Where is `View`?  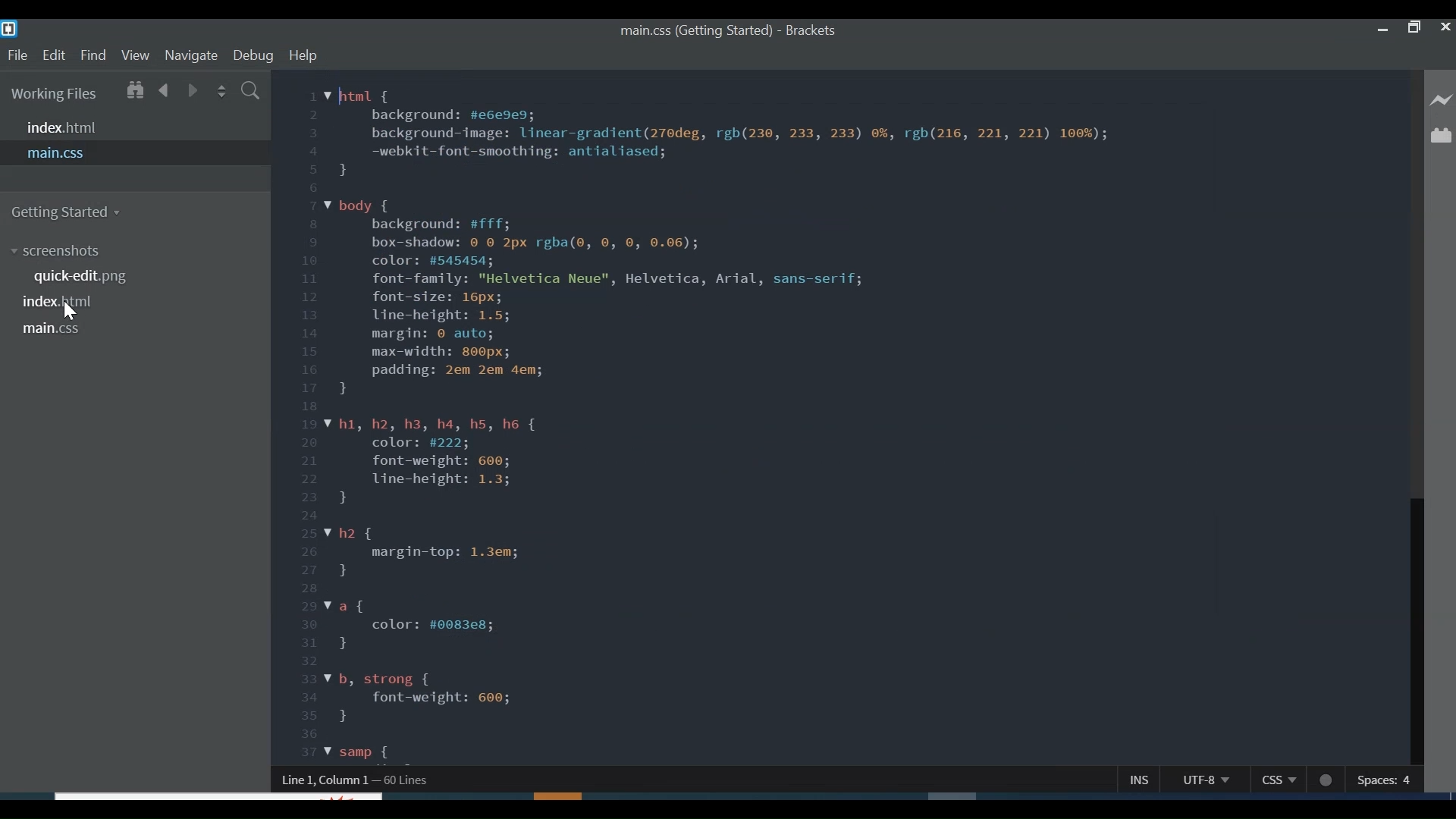
View is located at coordinates (135, 56).